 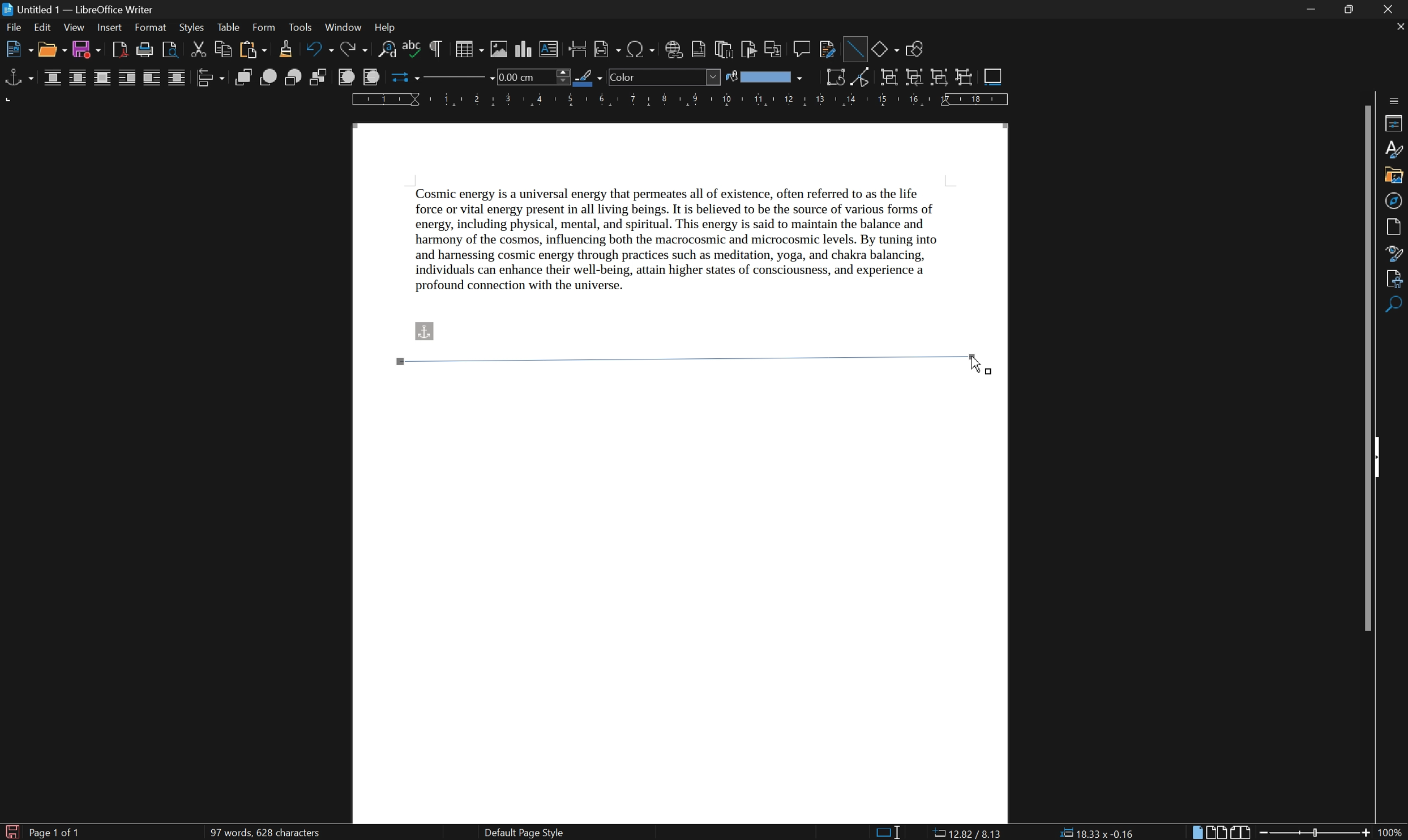 What do you see at coordinates (152, 79) in the screenshot?
I see `after` at bounding box center [152, 79].